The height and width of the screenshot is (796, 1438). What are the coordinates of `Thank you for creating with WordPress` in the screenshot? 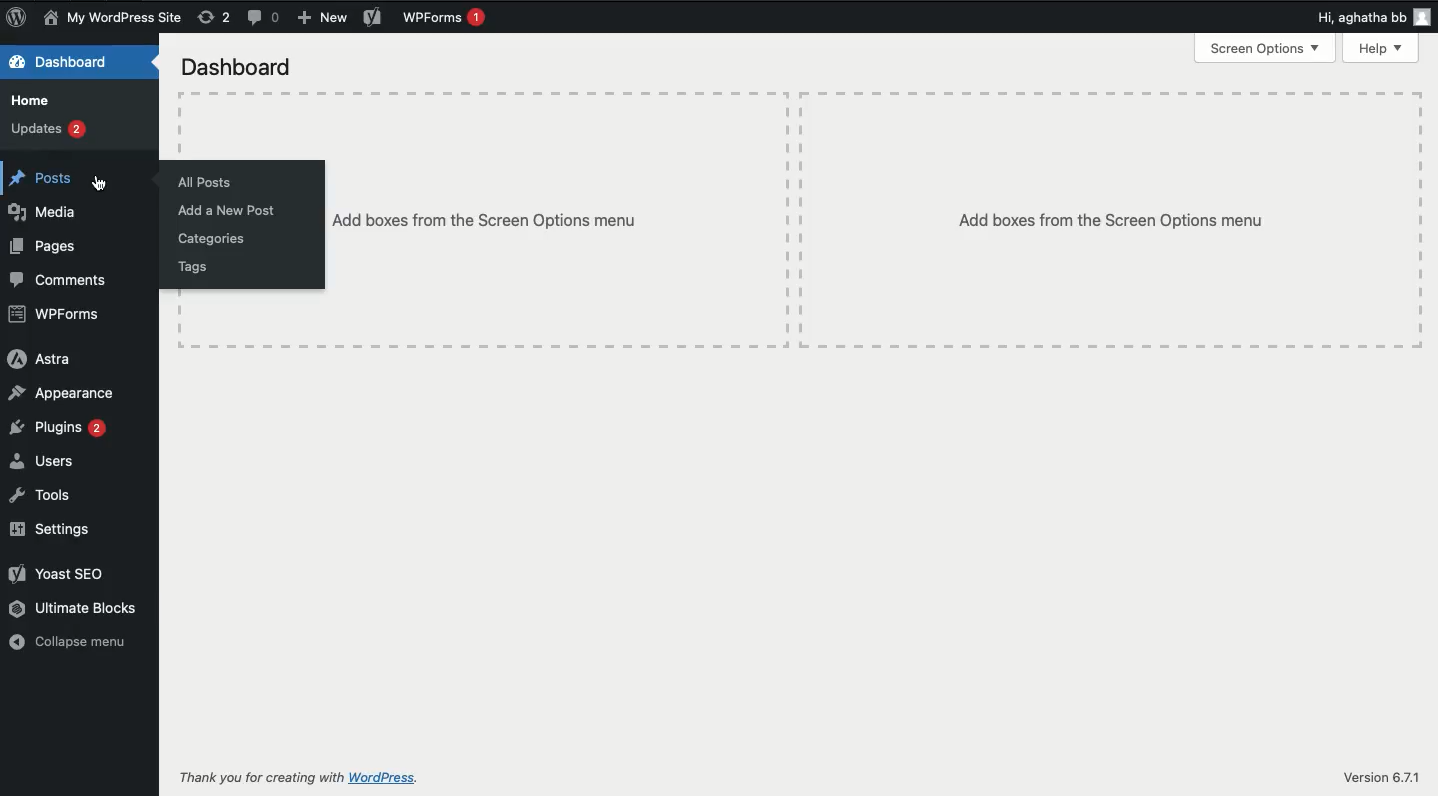 It's located at (261, 777).